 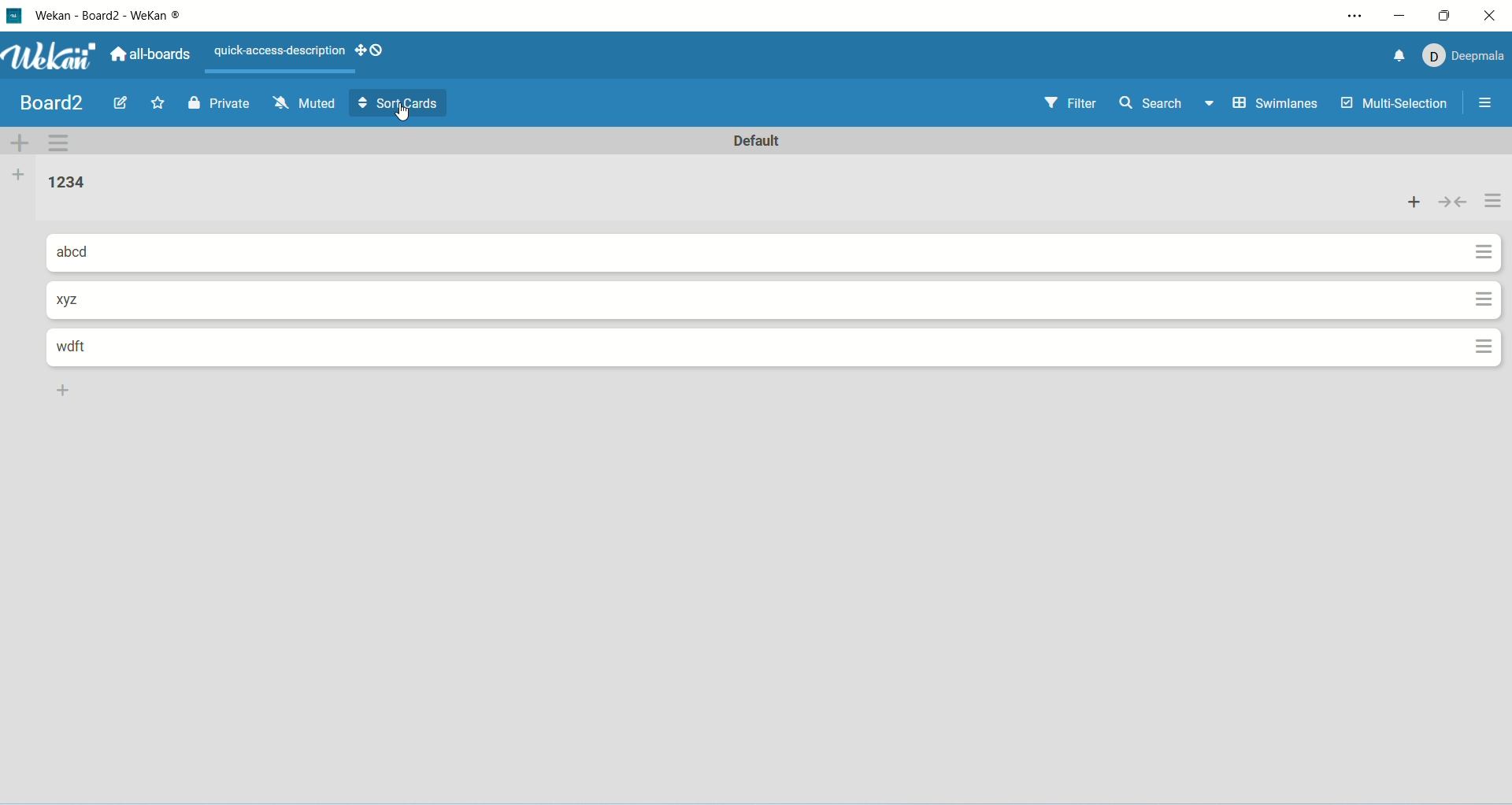 I want to click on filter, so click(x=1076, y=102).